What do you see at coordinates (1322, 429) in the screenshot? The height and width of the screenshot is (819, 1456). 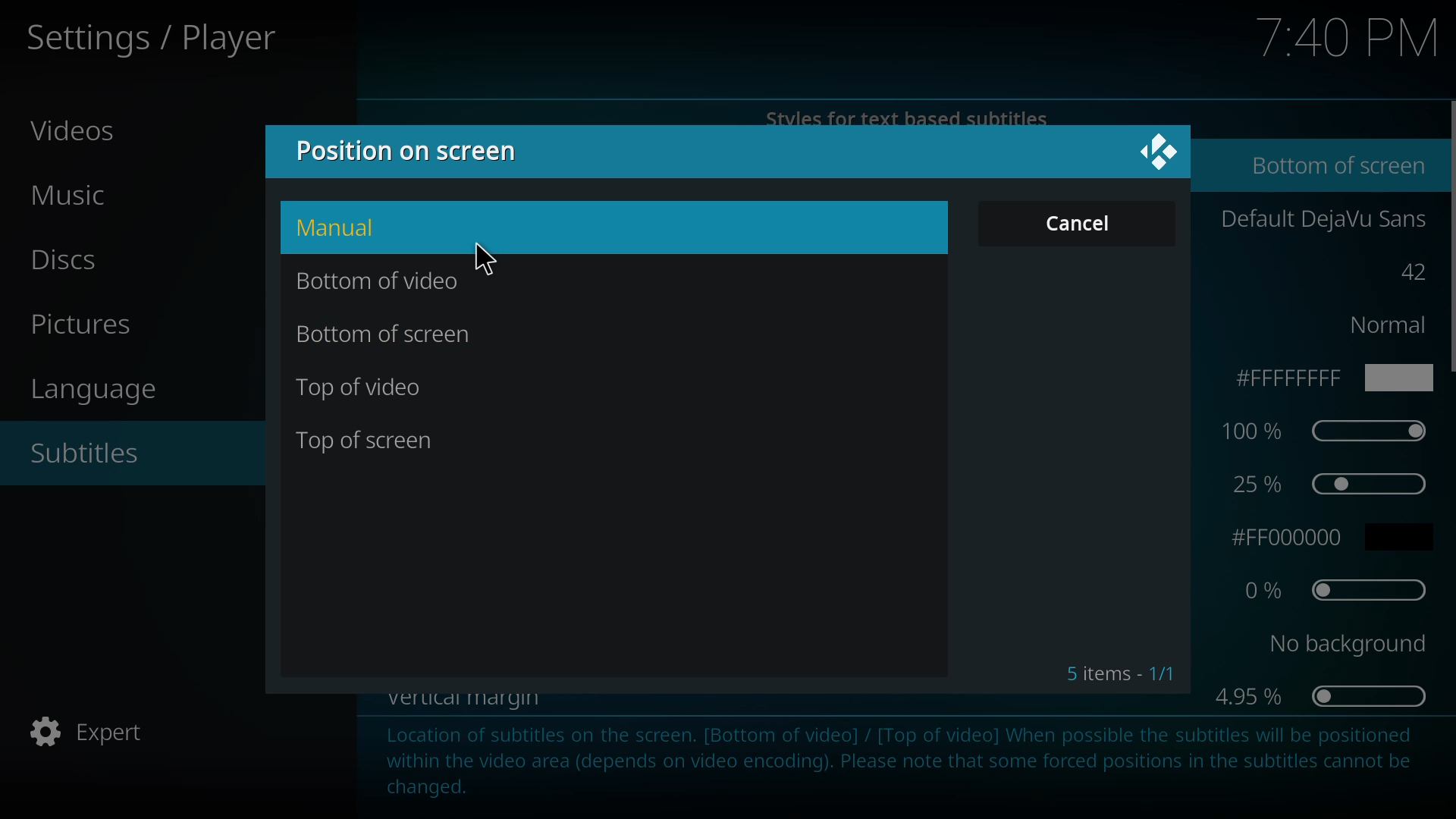 I see `100` at bounding box center [1322, 429].